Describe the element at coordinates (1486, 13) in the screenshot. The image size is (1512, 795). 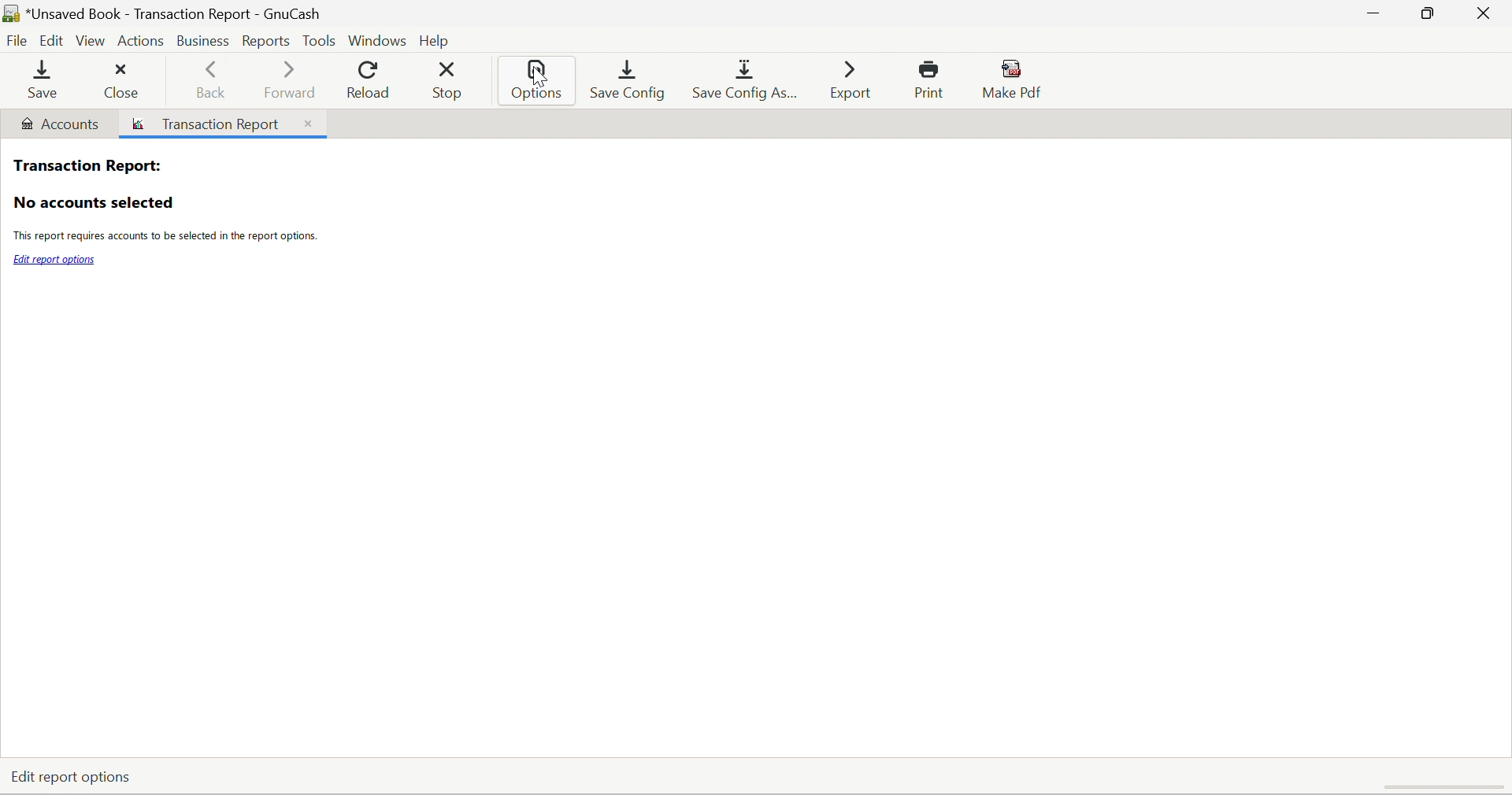
I see `Close` at that location.